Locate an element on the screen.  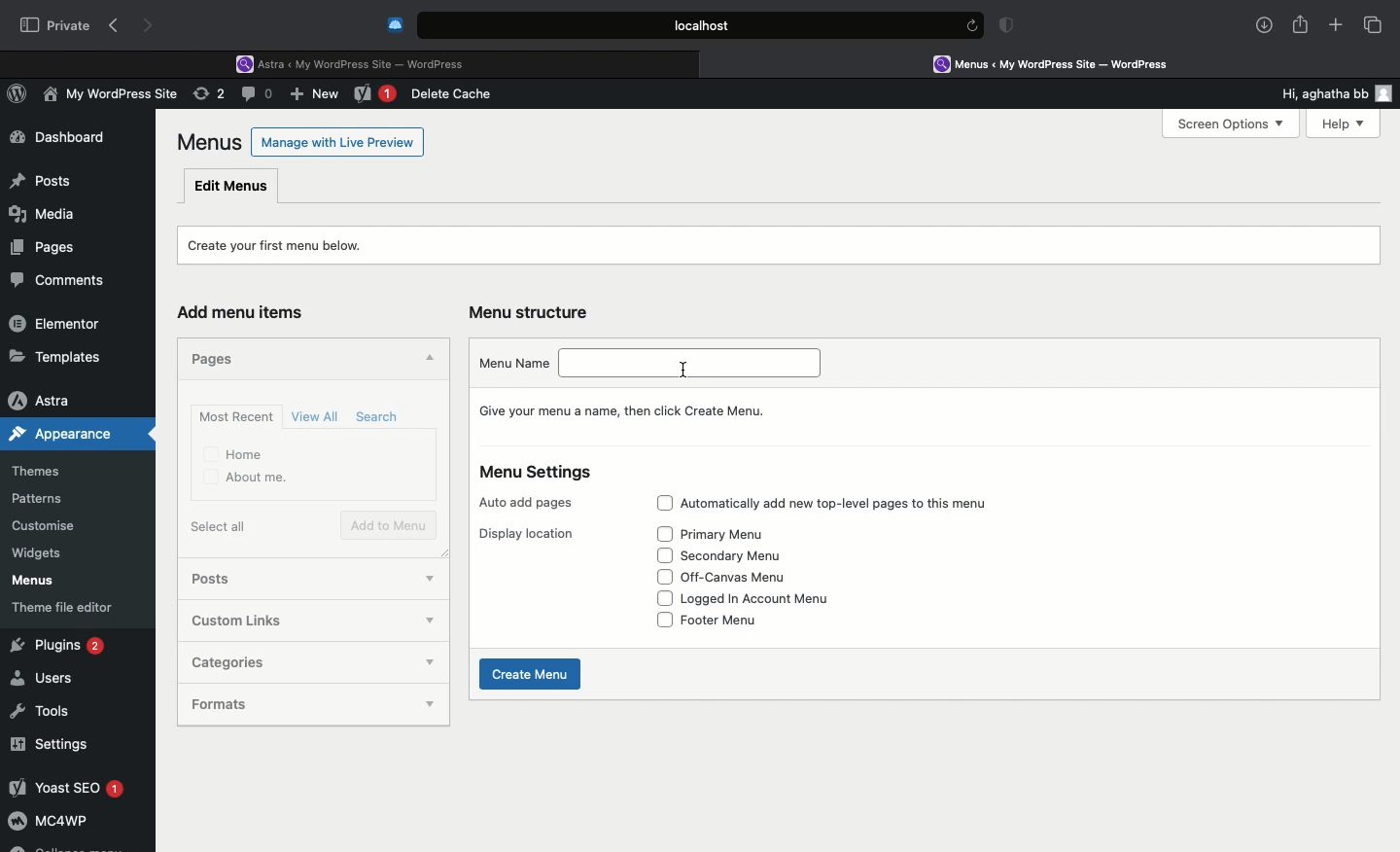
Check box is located at coordinates (664, 554).